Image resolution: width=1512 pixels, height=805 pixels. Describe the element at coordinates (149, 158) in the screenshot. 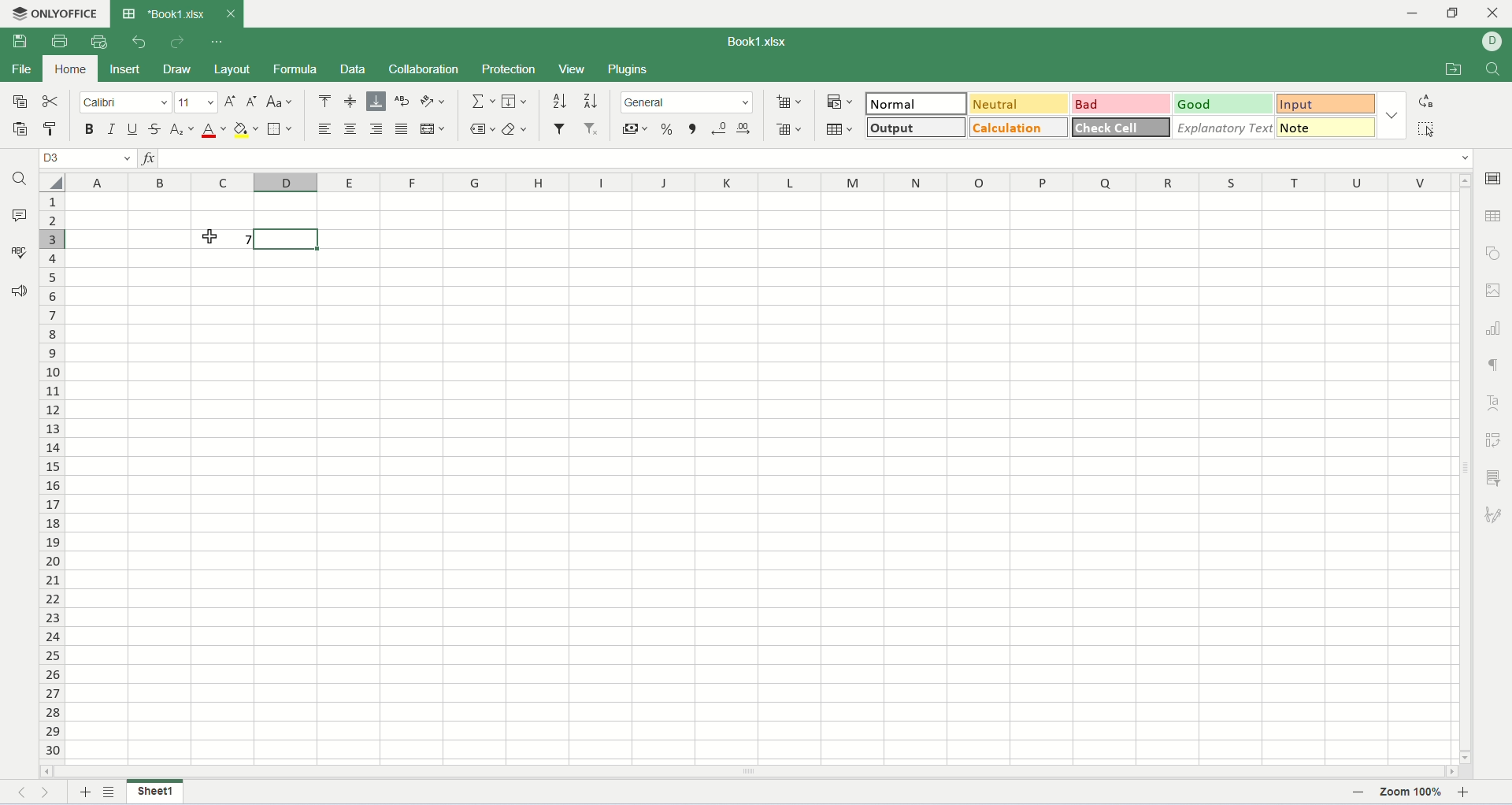

I see `insert function` at that location.